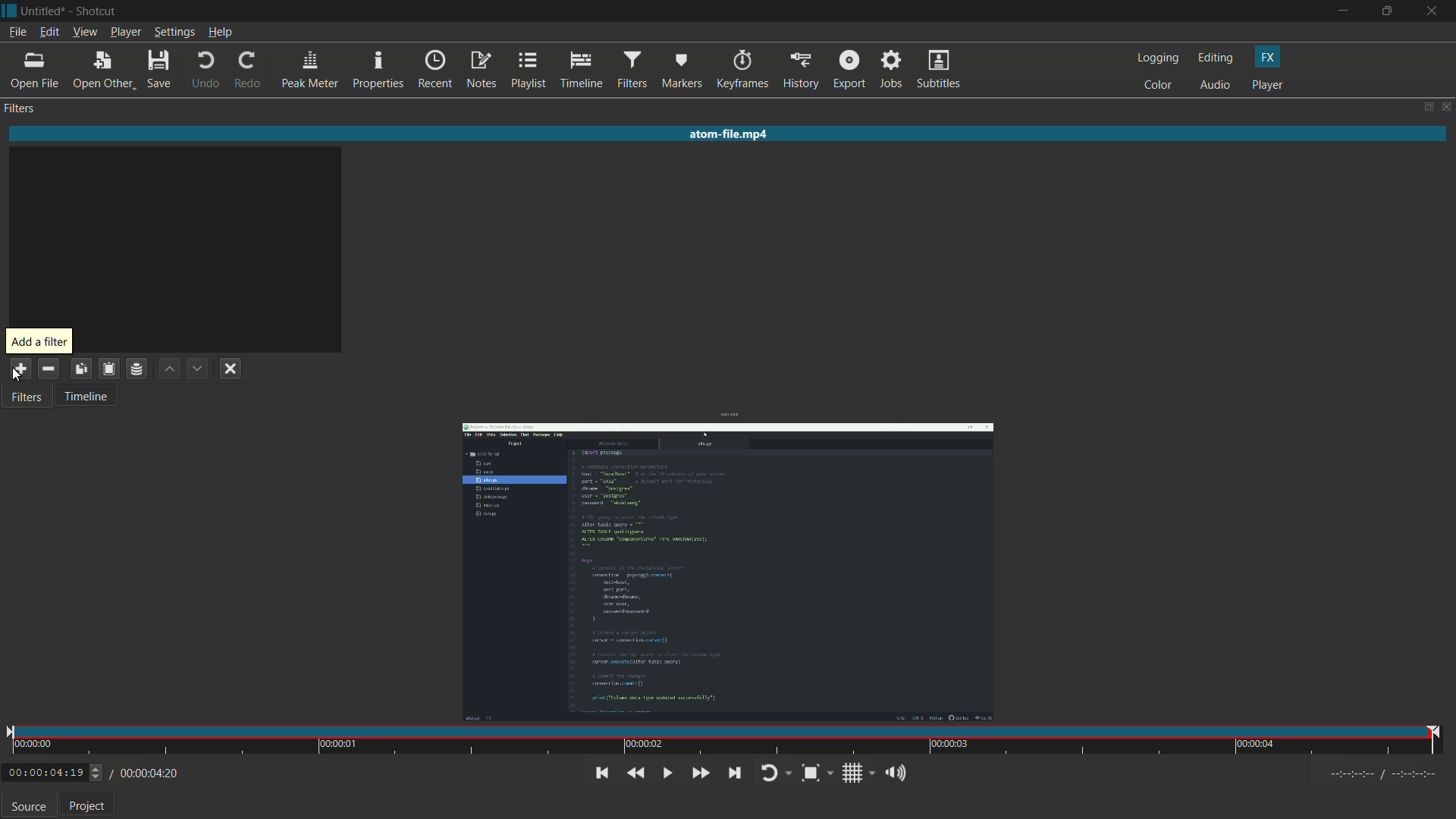 This screenshot has width=1456, height=819. I want to click on app name, so click(94, 13).